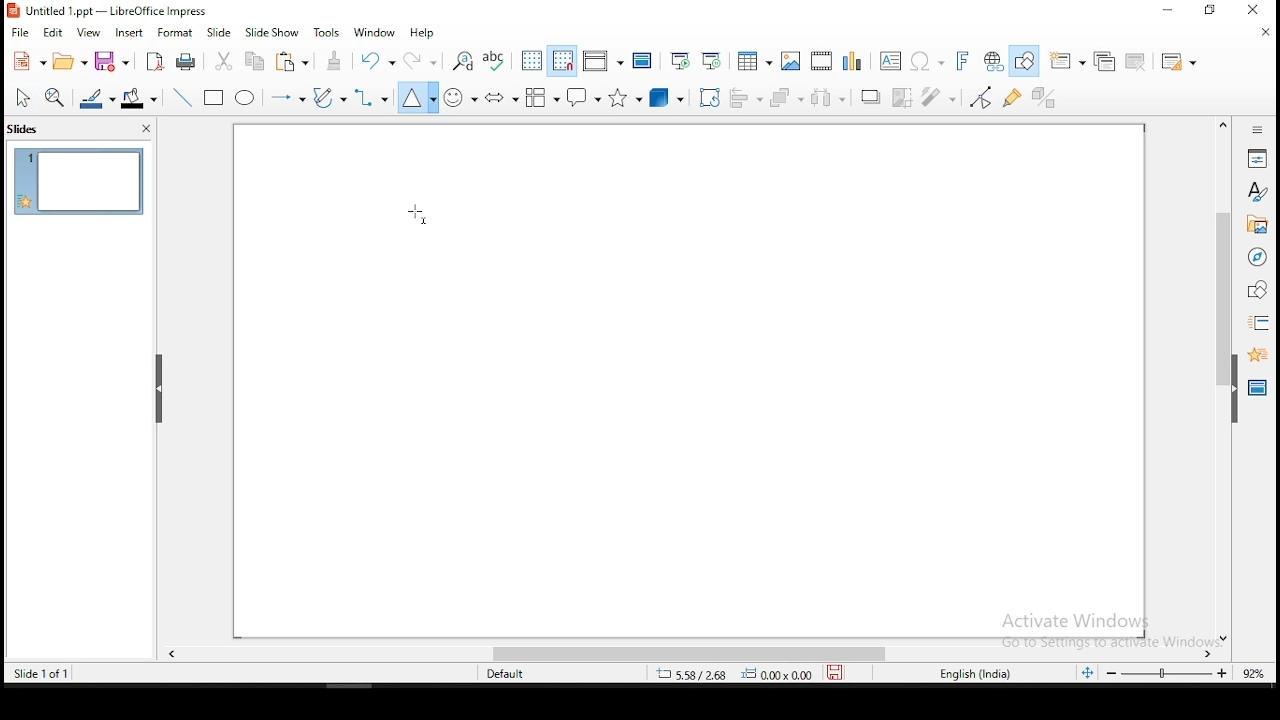  Describe the element at coordinates (131, 32) in the screenshot. I see `insert` at that location.